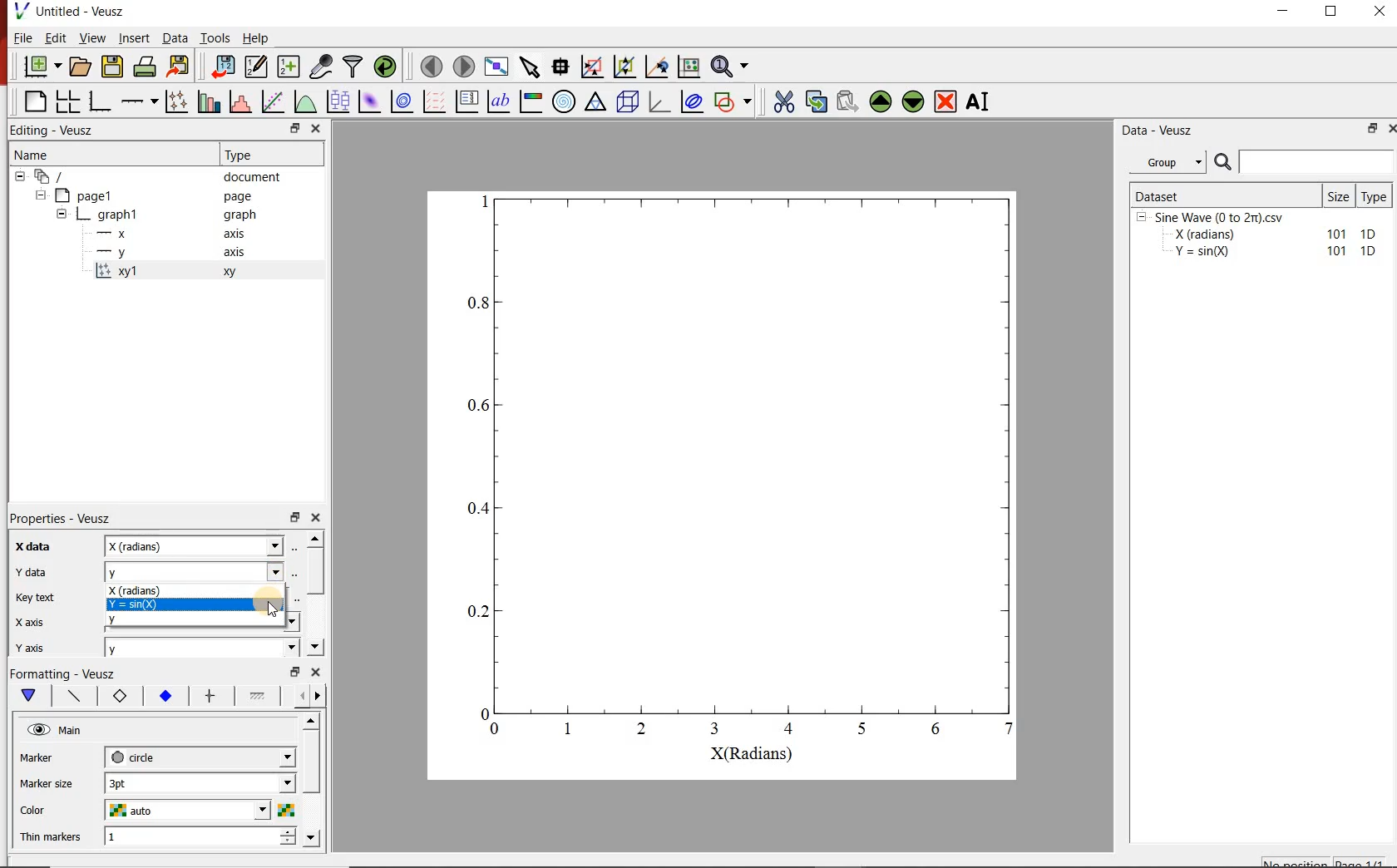 The height and width of the screenshot is (868, 1397). Describe the element at coordinates (243, 153) in the screenshot. I see `Type` at that location.